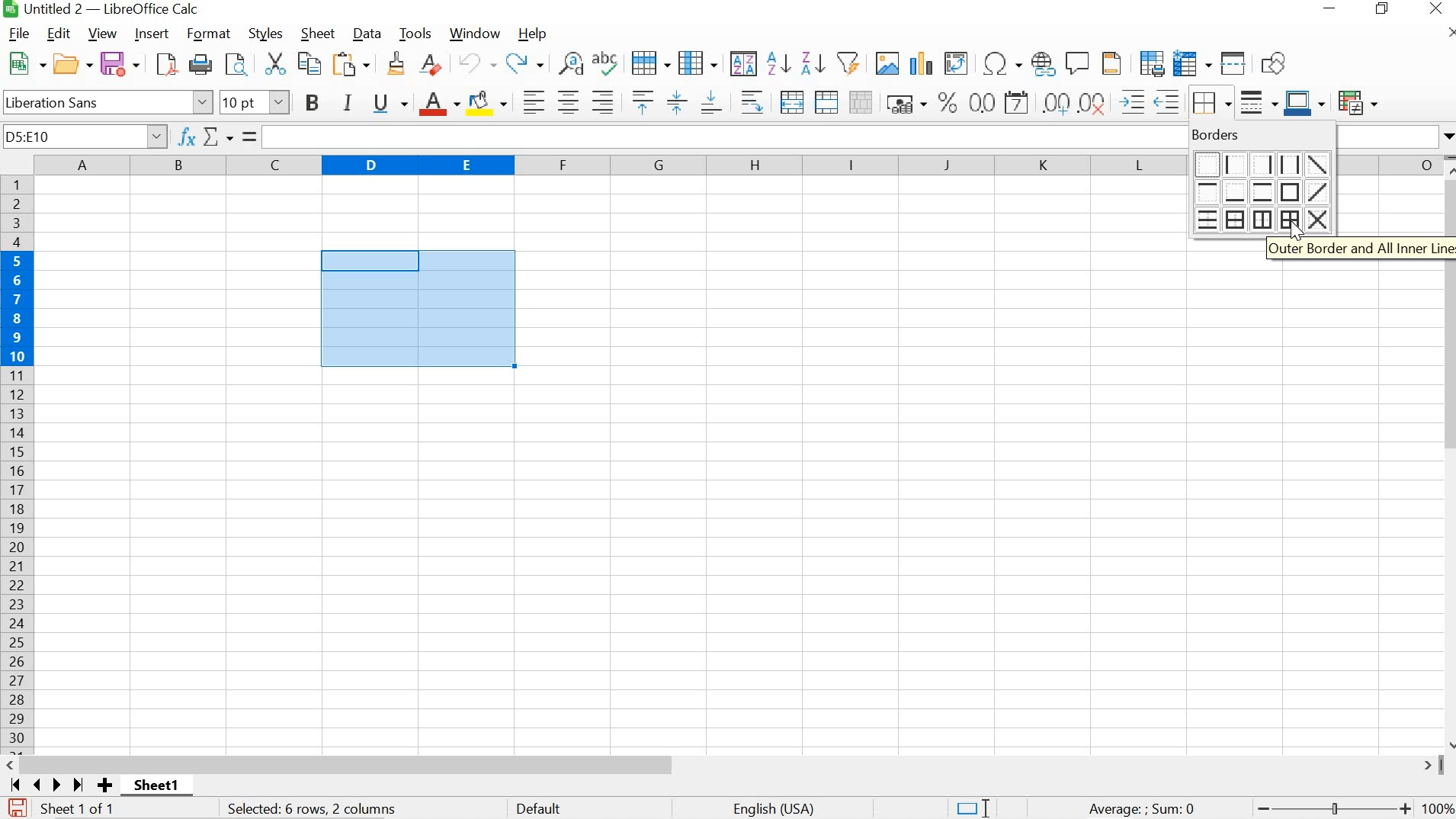  Describe the element at coordinates (364, 33) in the screenshot. I see `DATA` at that location.